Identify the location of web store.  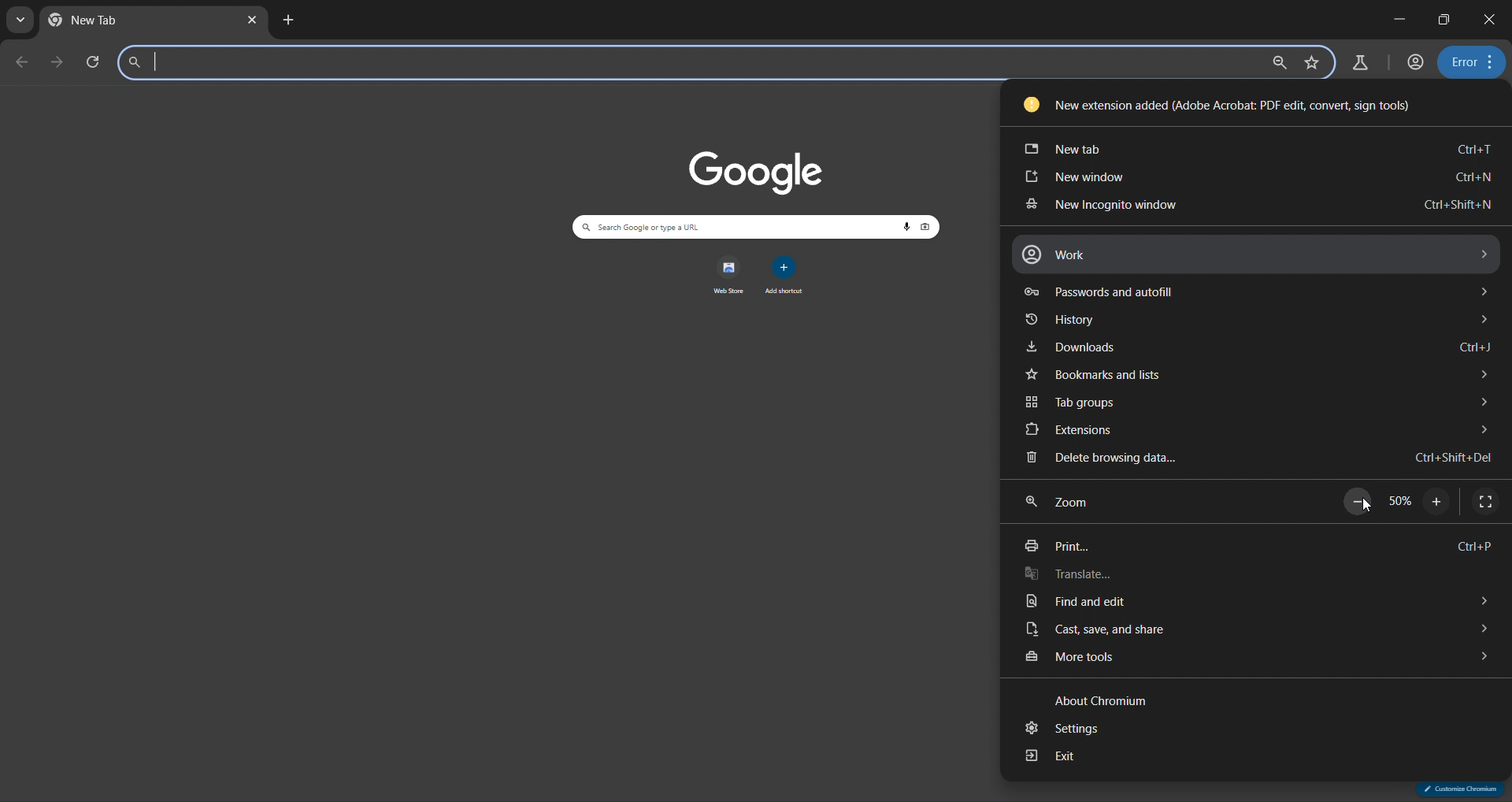
(732, 275).